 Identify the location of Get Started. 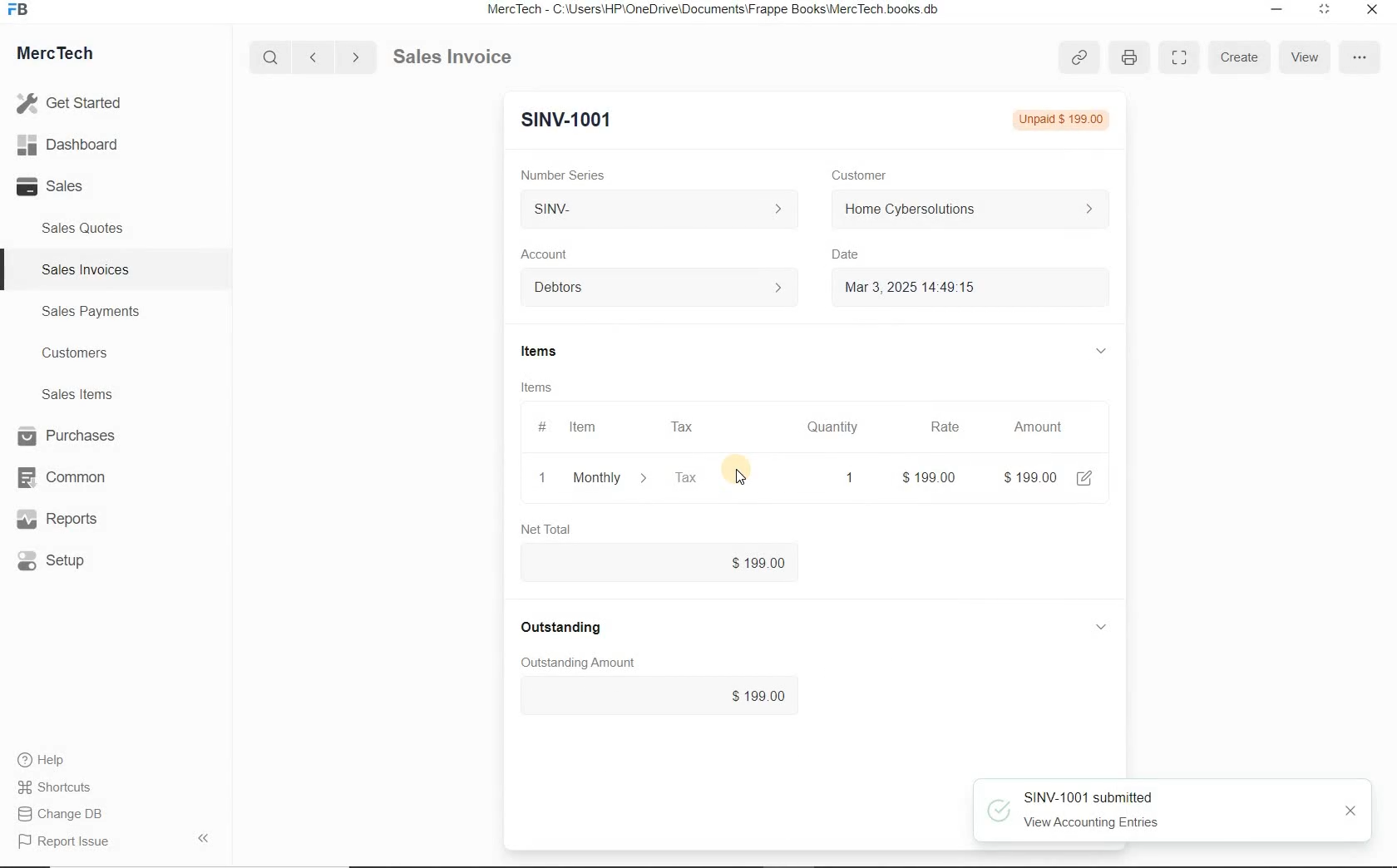
(75, 103).